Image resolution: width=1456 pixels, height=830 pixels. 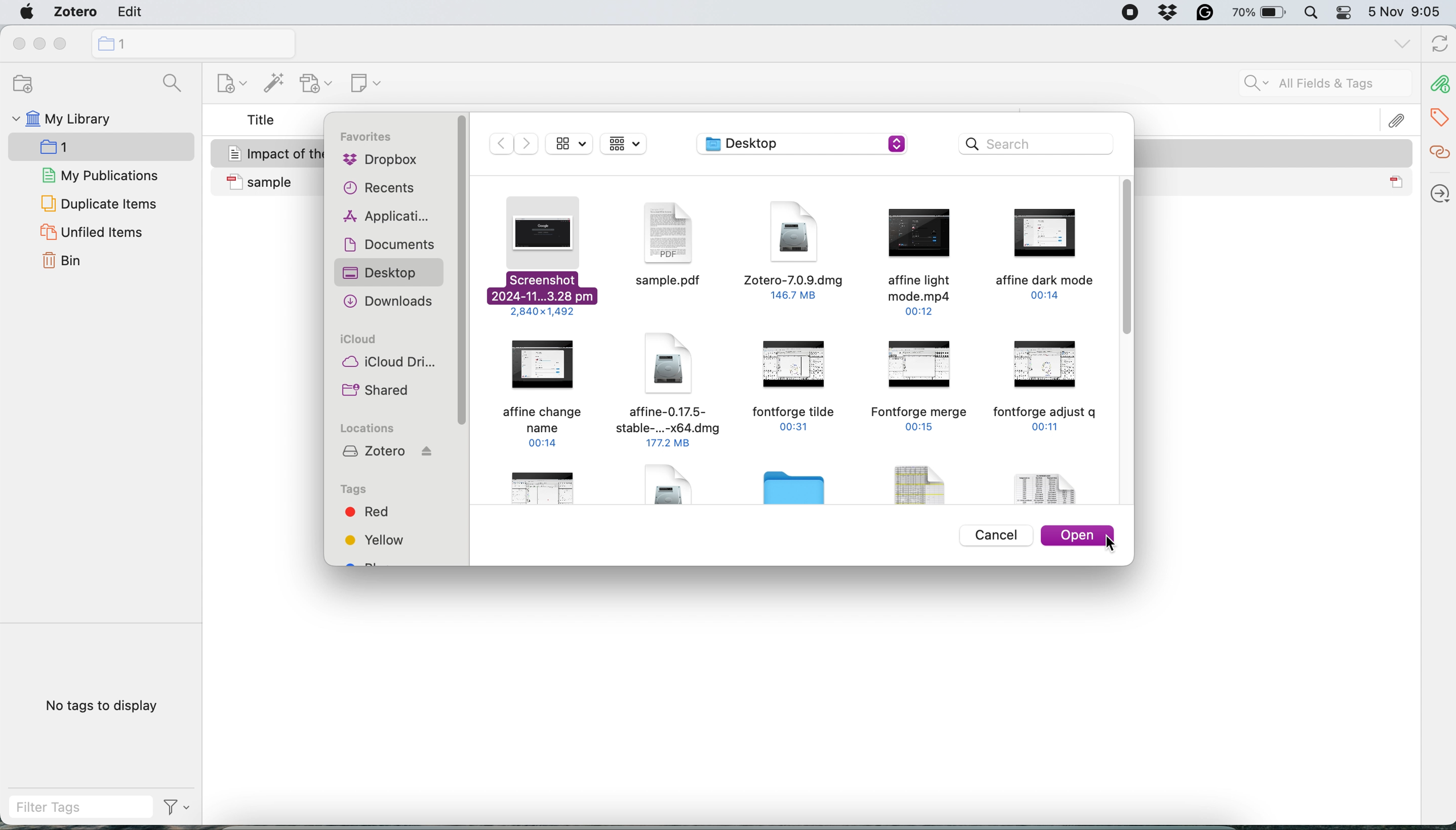 I want to click on fontforge merge, so click(x=921, y=384).